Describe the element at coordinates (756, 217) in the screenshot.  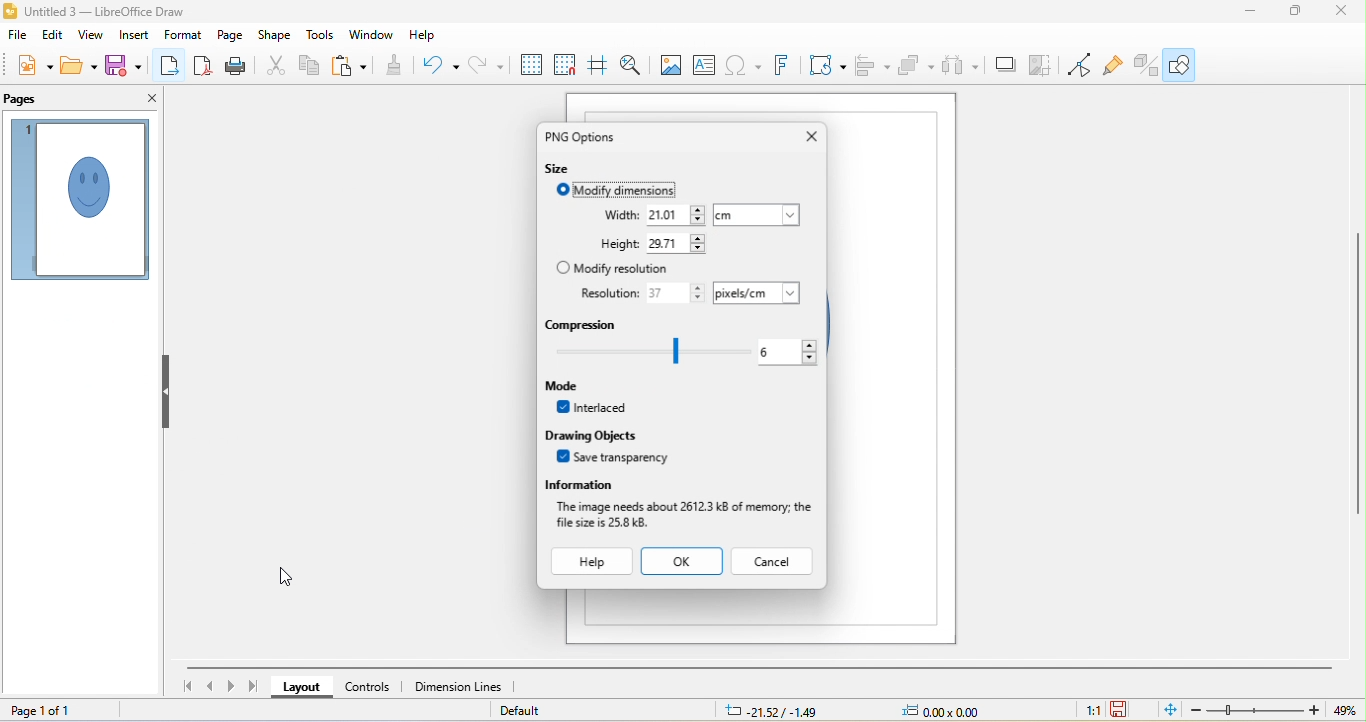
I see `select unit` at that location.